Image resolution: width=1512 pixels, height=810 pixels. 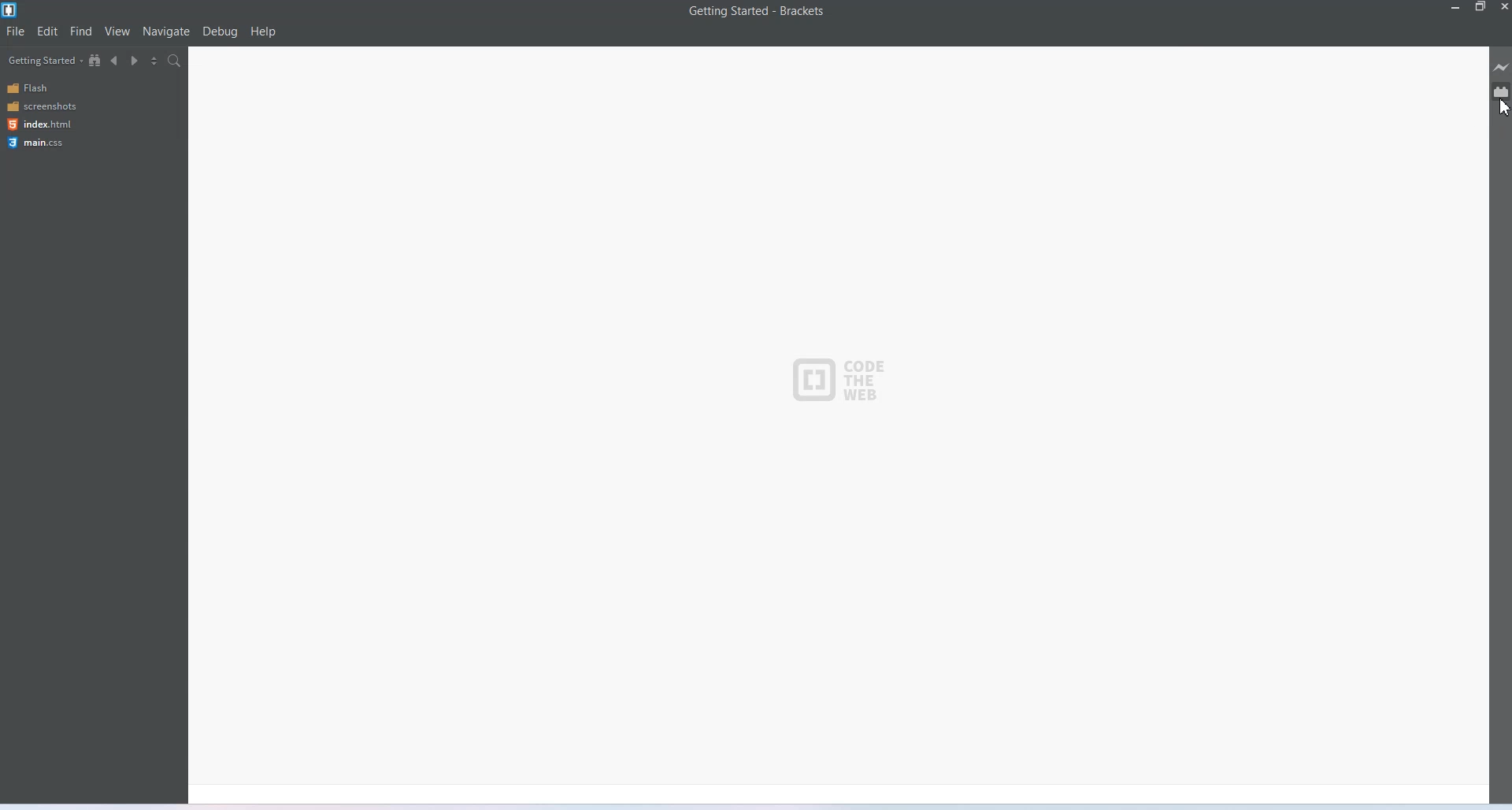 I want to click on Logo, so click(x=11, y=10).